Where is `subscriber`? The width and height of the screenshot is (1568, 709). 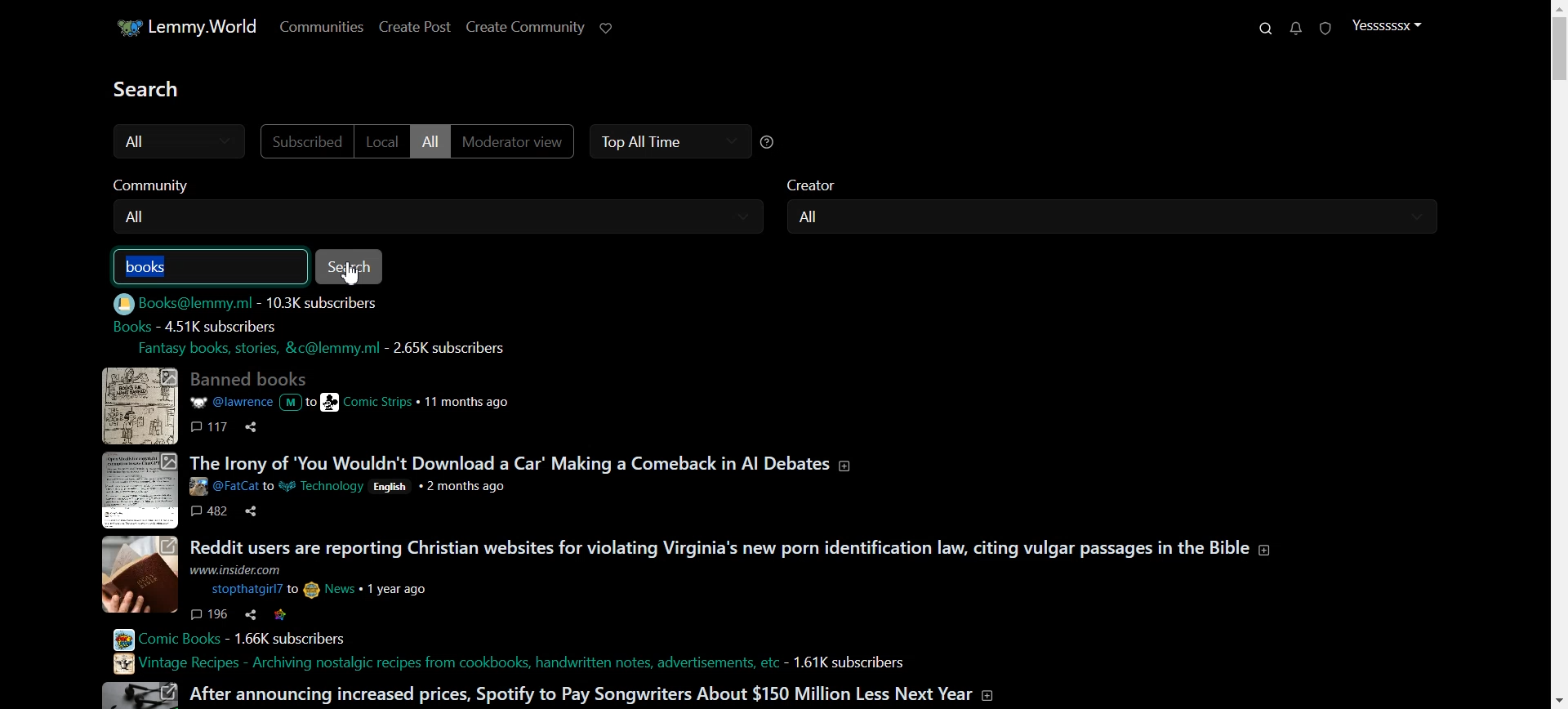 subscriber is located at coordinates (852, 661).